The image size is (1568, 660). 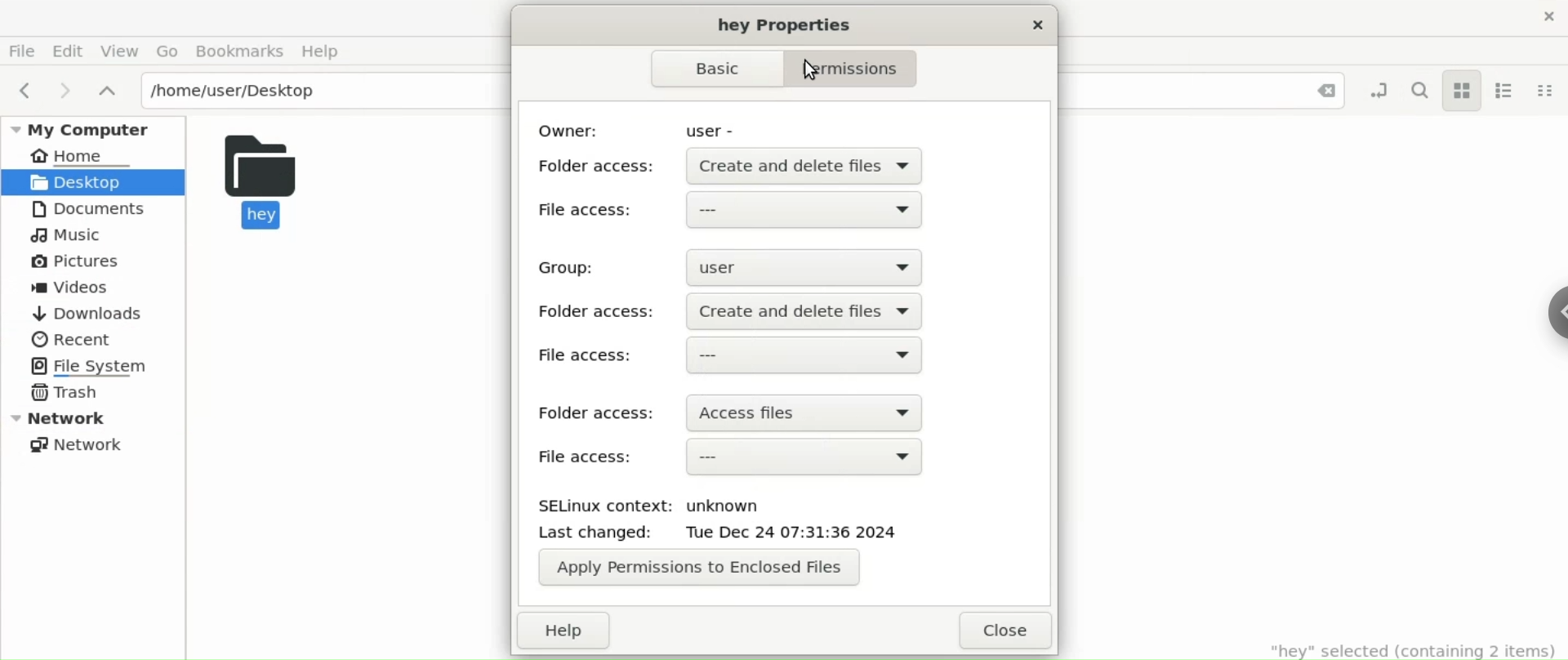 What do you see at coordinates (65, 393) in the screenshot?
I see `Trash` at bounding box center [65, 393].